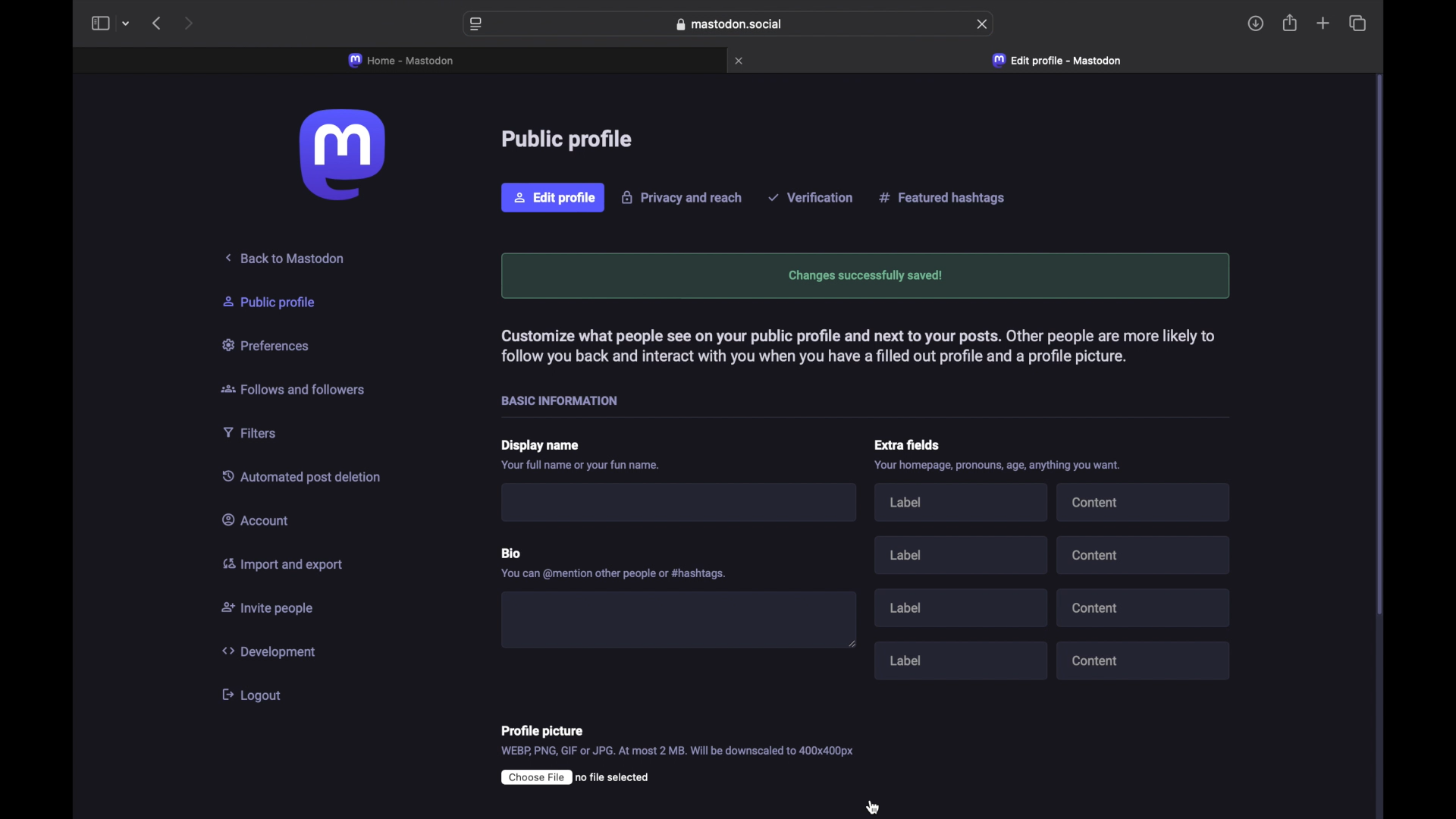 The image size is (1456, 819). Describe the element at coordinates (99, 24) in the screenshot. I see `sidebar` at that location.